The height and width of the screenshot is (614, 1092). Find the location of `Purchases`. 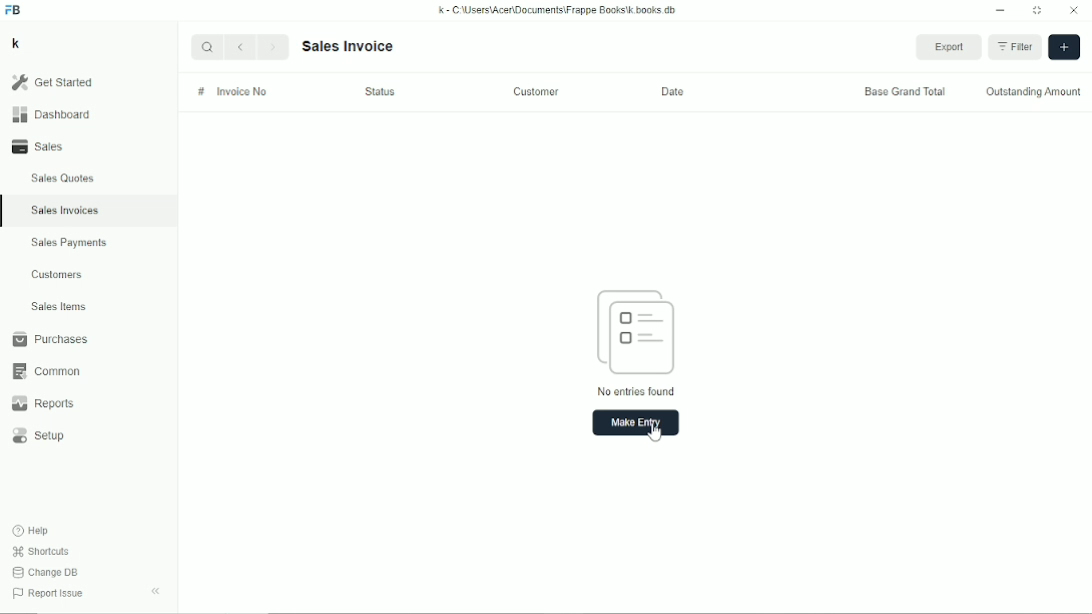

Purchases is located at coordinates (49, 339).